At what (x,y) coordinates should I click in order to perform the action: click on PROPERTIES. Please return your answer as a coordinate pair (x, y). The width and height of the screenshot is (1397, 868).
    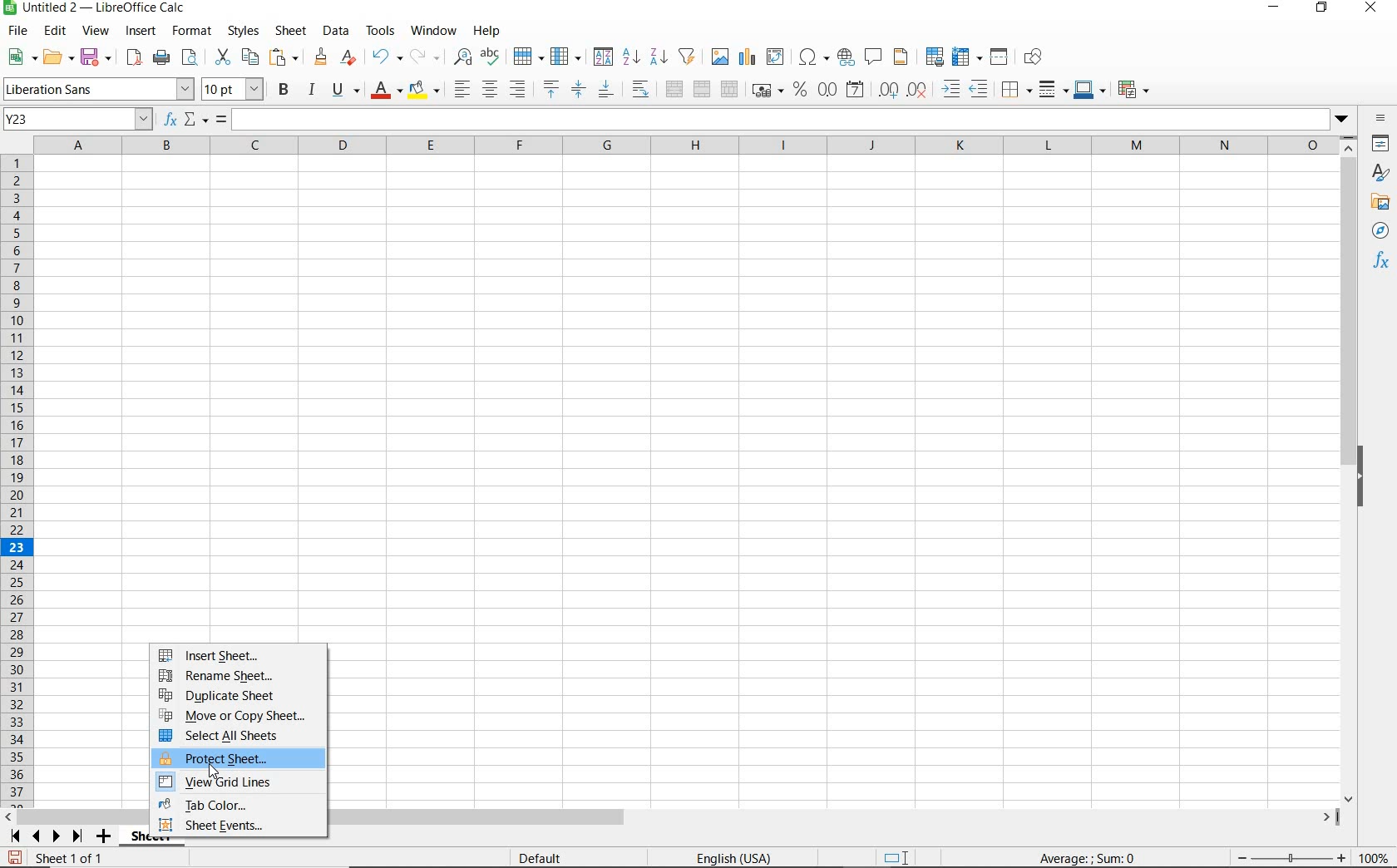
    Looking at the image, I should click on (1380, 145).